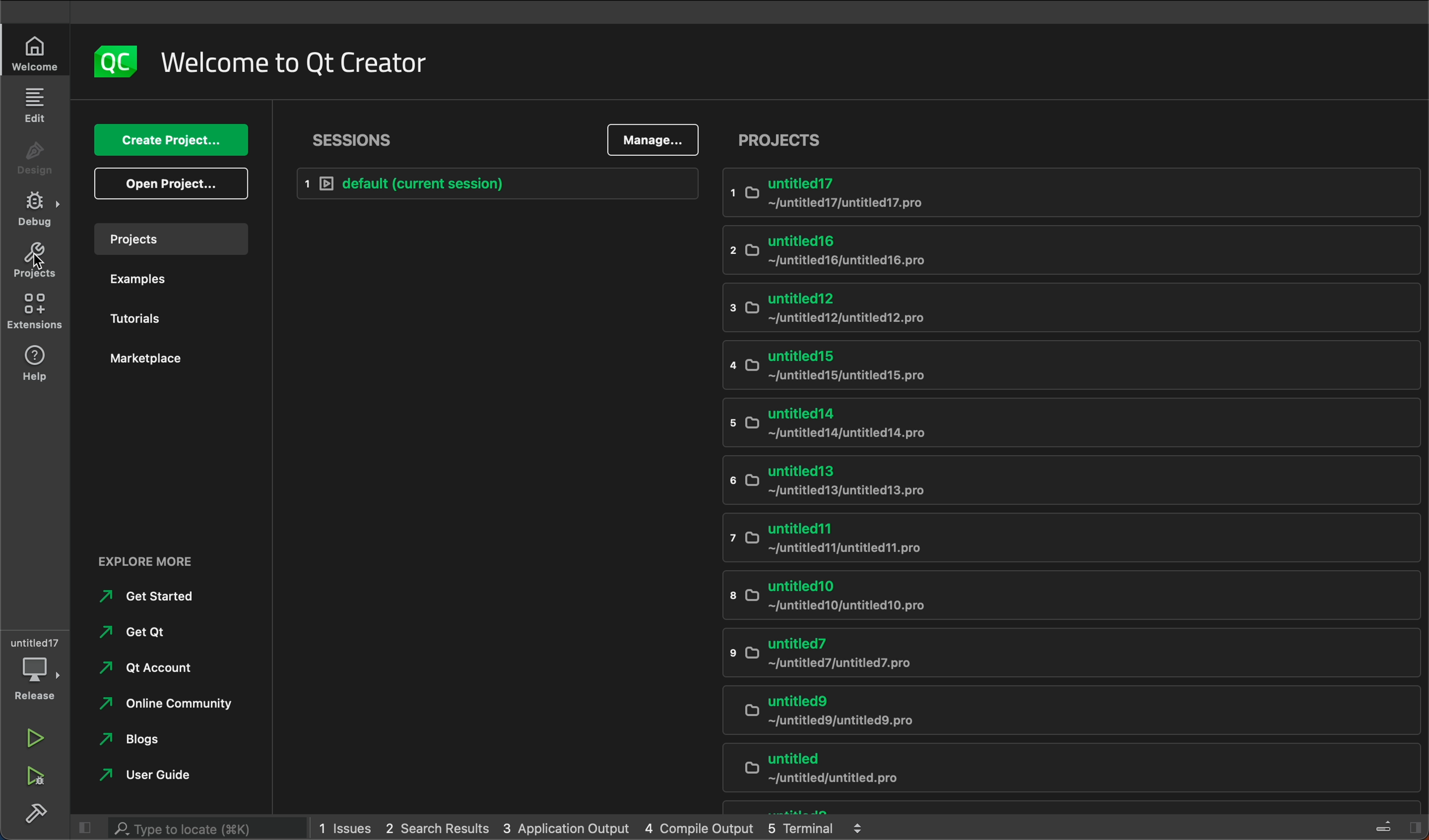 Image resolution: width=1429 pixels, height=840 pixels. Describe the element at coordinates (1045, 656) in the screenshot. I see `untitled7` at that location.